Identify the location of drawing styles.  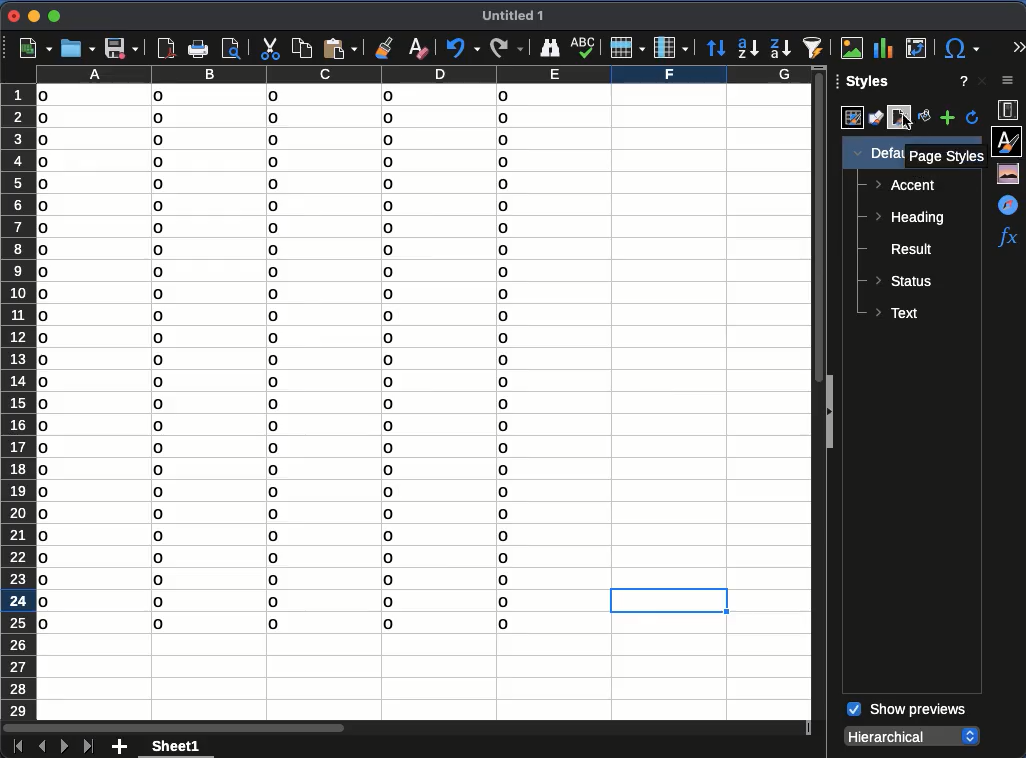
(876, 117).